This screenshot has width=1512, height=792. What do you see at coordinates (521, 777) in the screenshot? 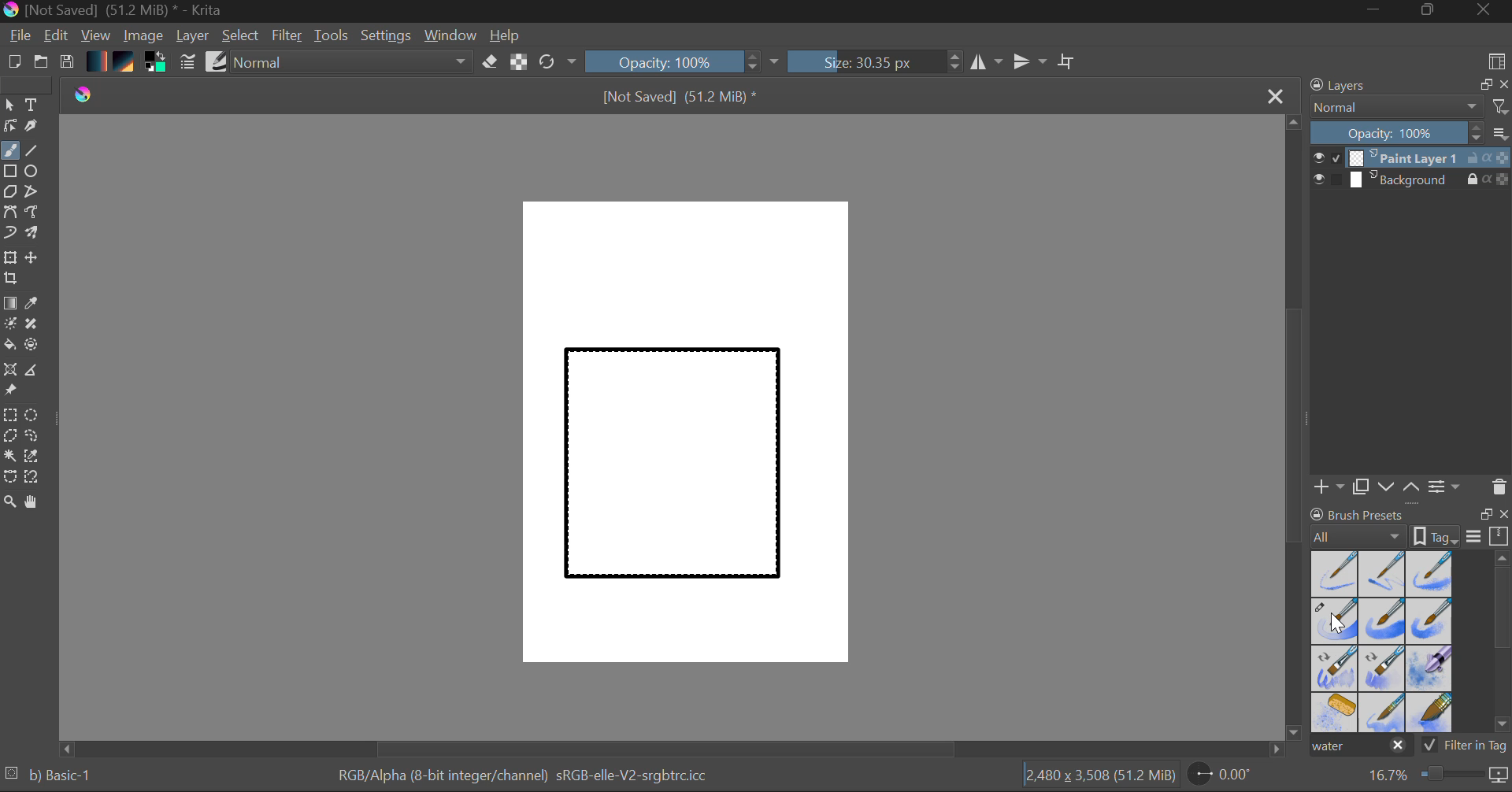
I see `Color Information` at bounding box center [521, 777].